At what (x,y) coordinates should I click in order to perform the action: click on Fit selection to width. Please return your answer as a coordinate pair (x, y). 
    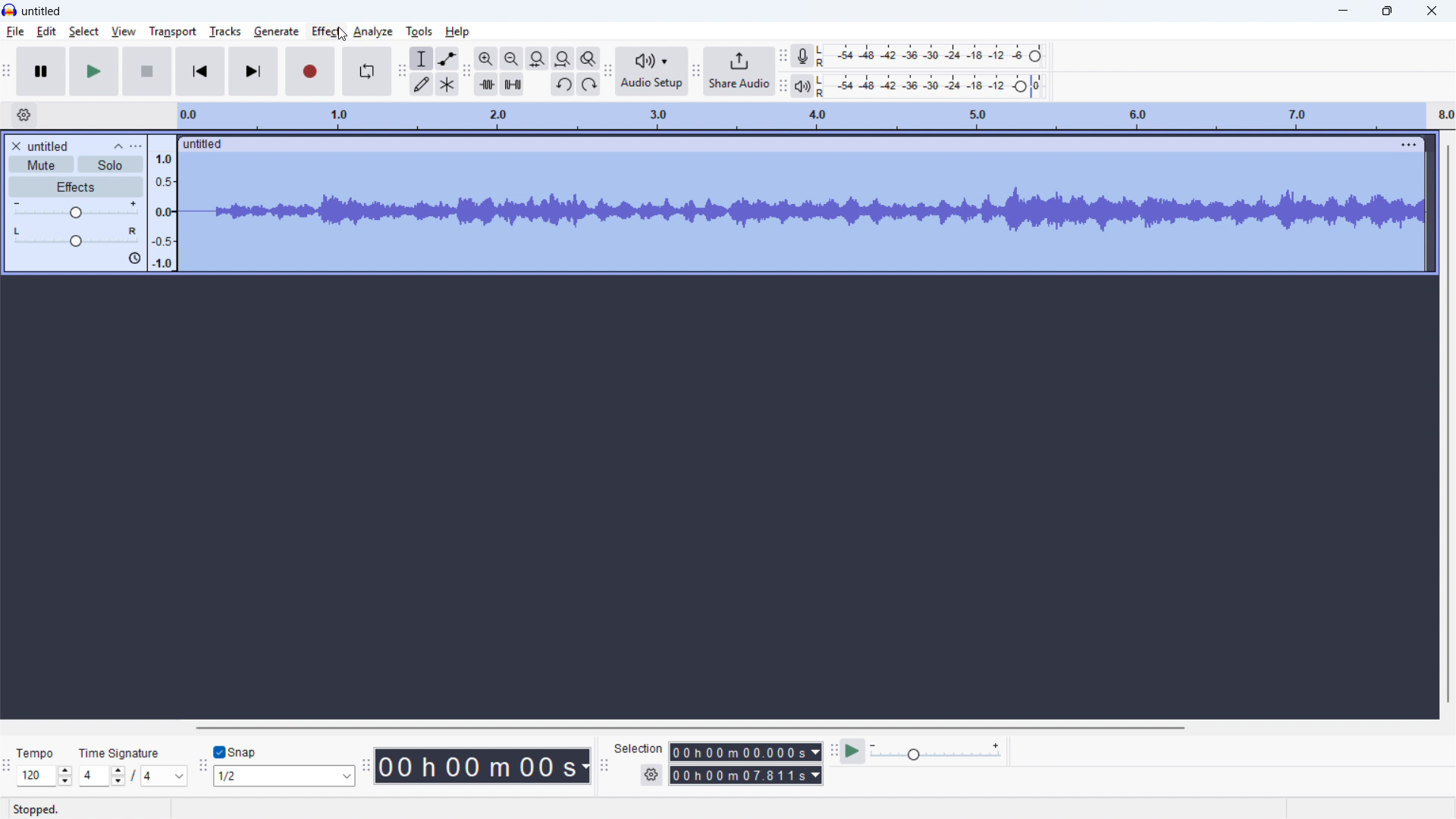
    Looking at the image, I should click on (537, 59).